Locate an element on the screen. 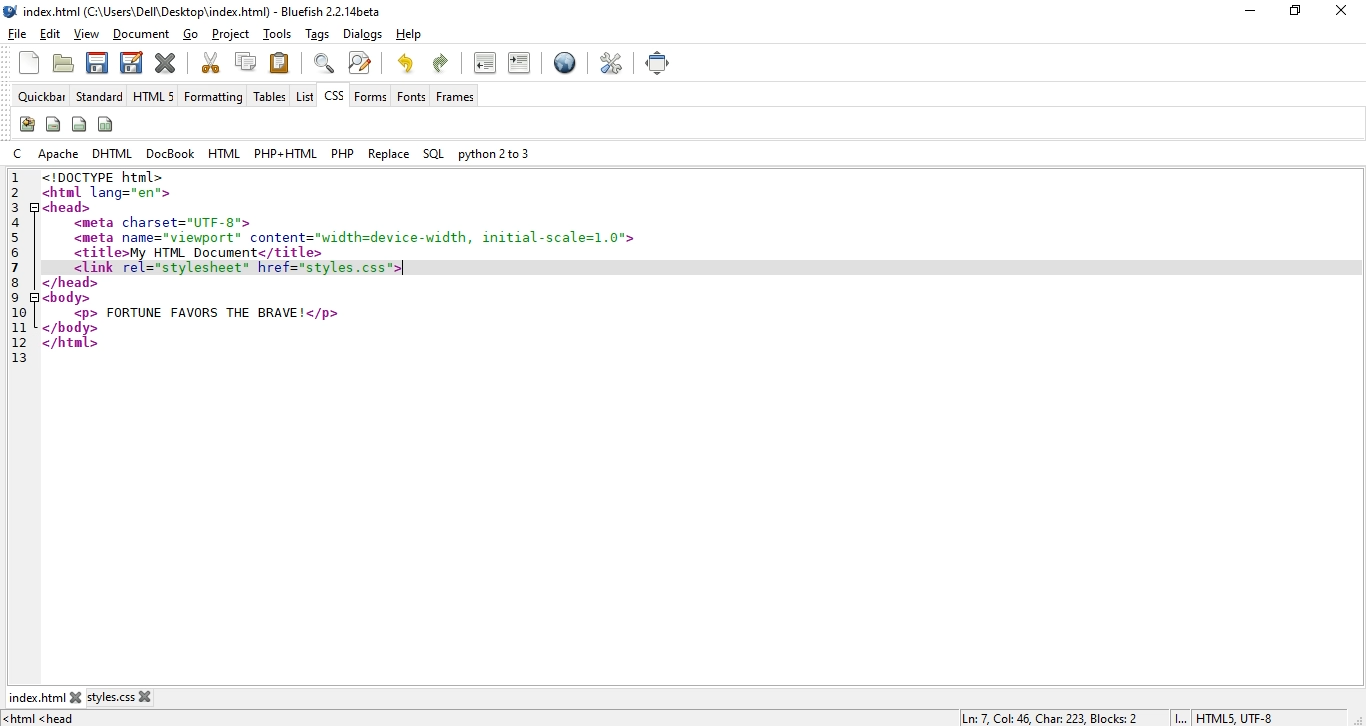 The height and width of the screenshot is (726, 1366). 6 is located at coordinates (20, 254).